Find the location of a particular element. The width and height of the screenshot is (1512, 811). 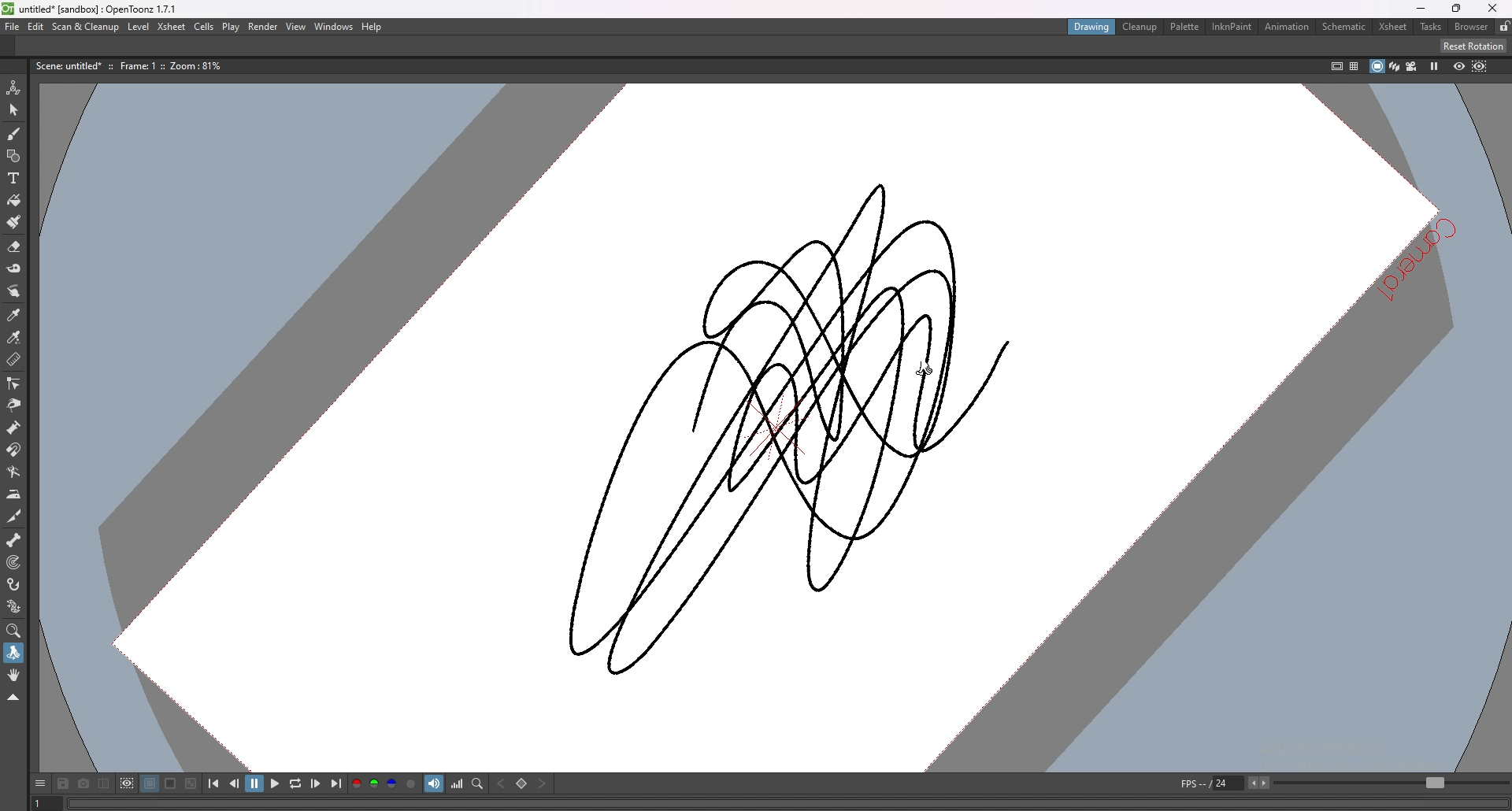

plastic is located at coordinates (13, 607).